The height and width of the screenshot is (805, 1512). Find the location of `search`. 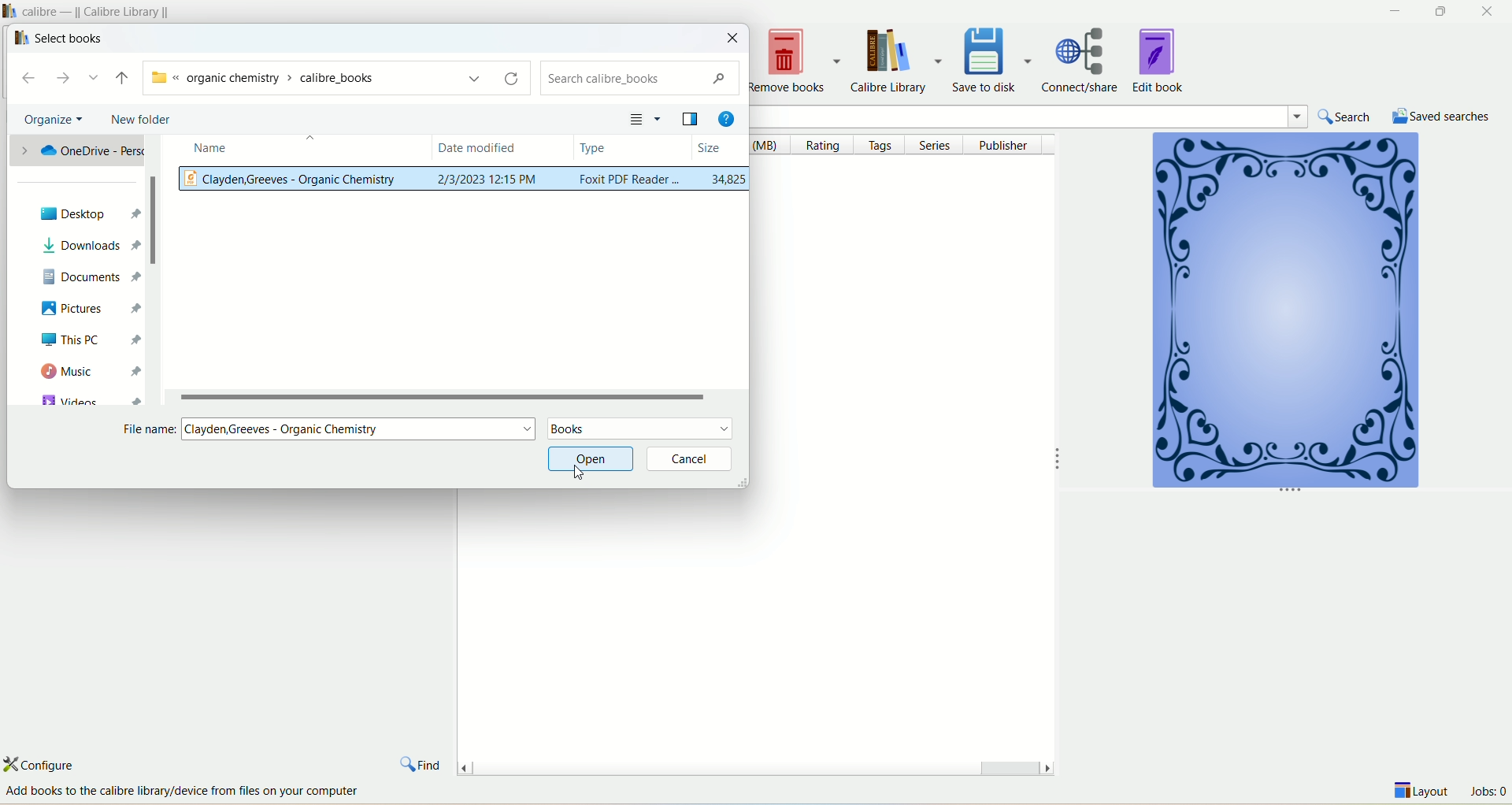

search is located at coordinates (1347, 117).